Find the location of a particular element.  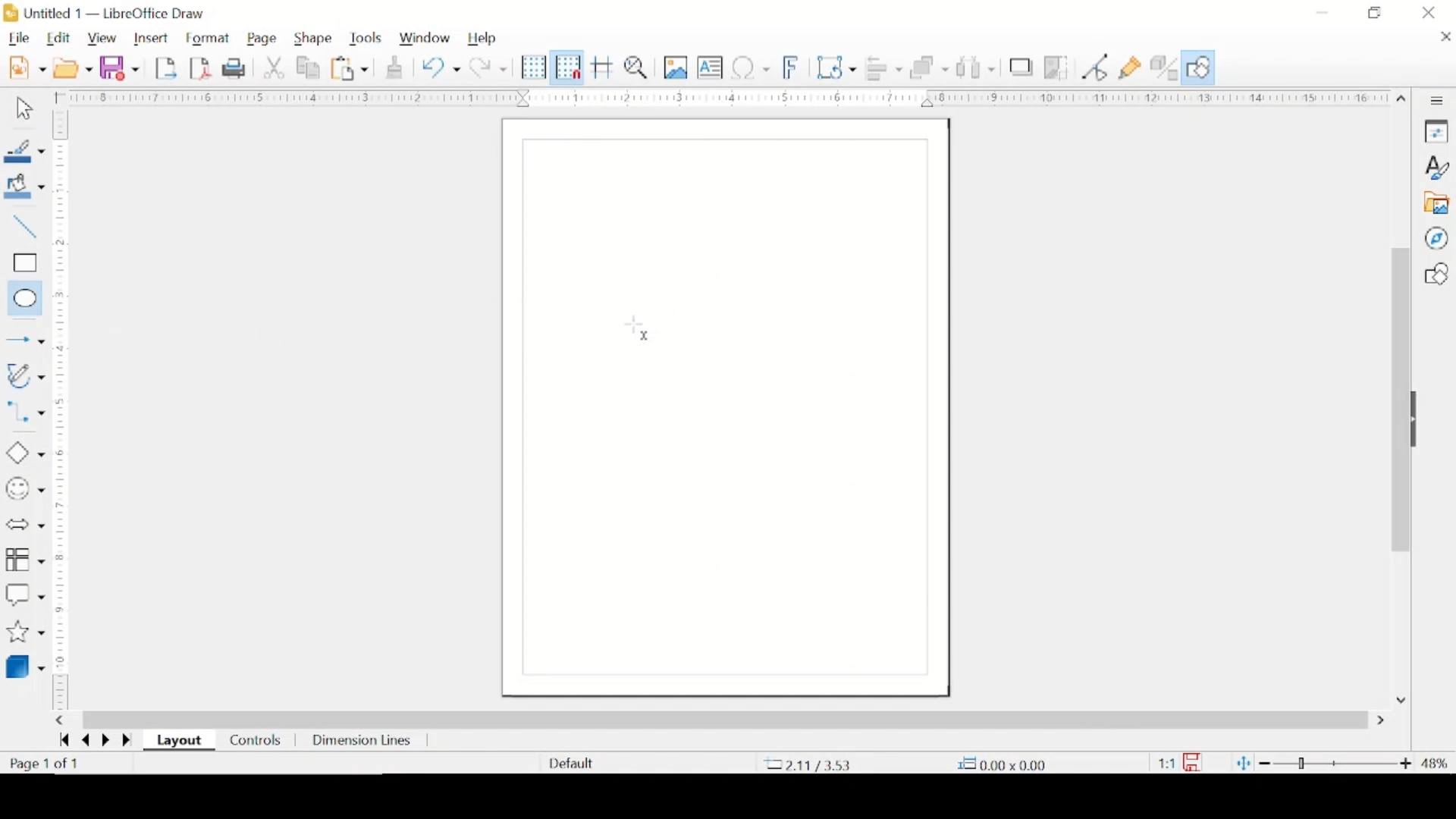

styles is located at coordinates (1438, 167).